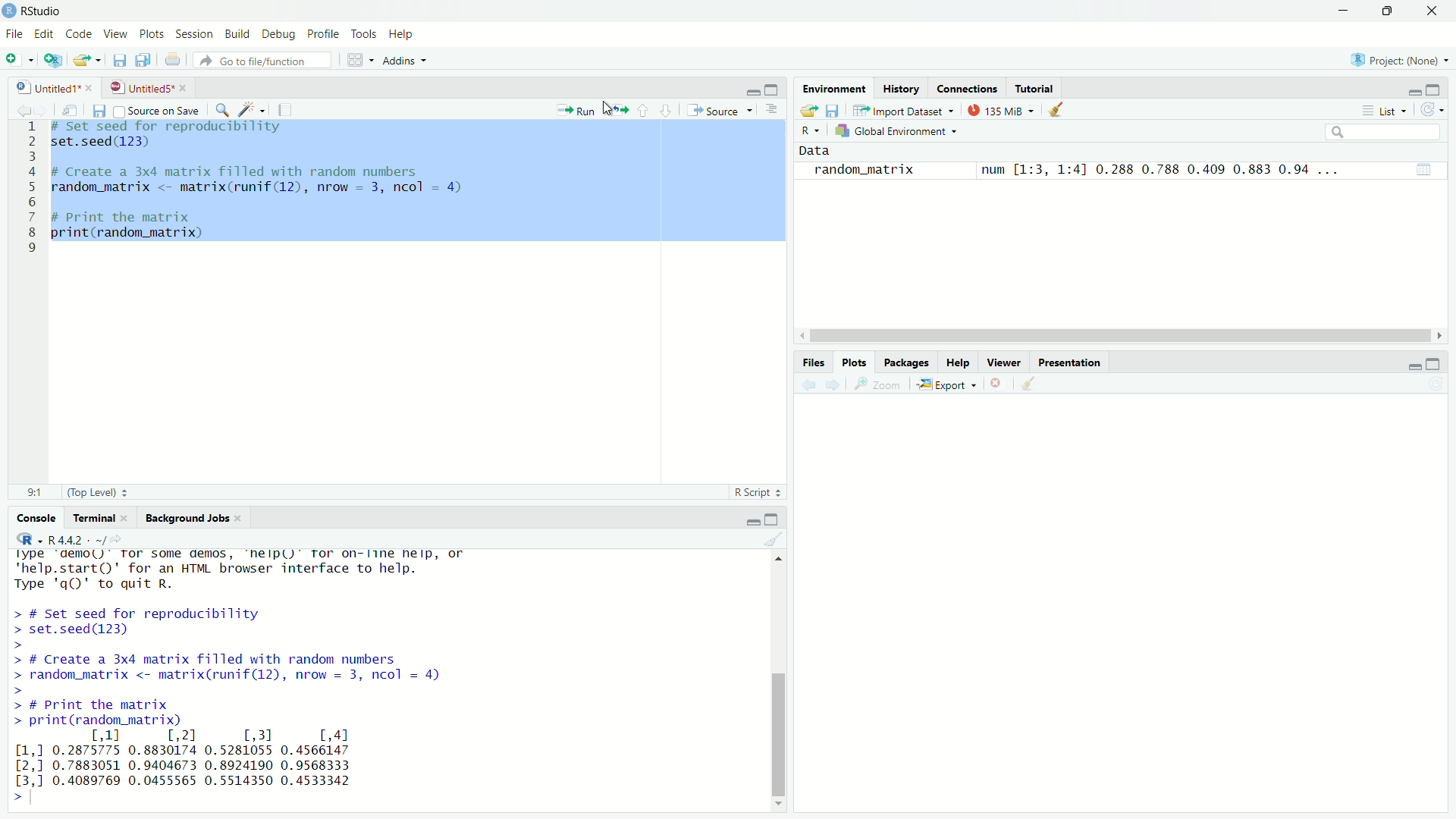 Image resolution: width=1456 pixels, height=819 pixels. Describe the element at coordinates (1379, 136) in the screenshot. I see `search` at that location.